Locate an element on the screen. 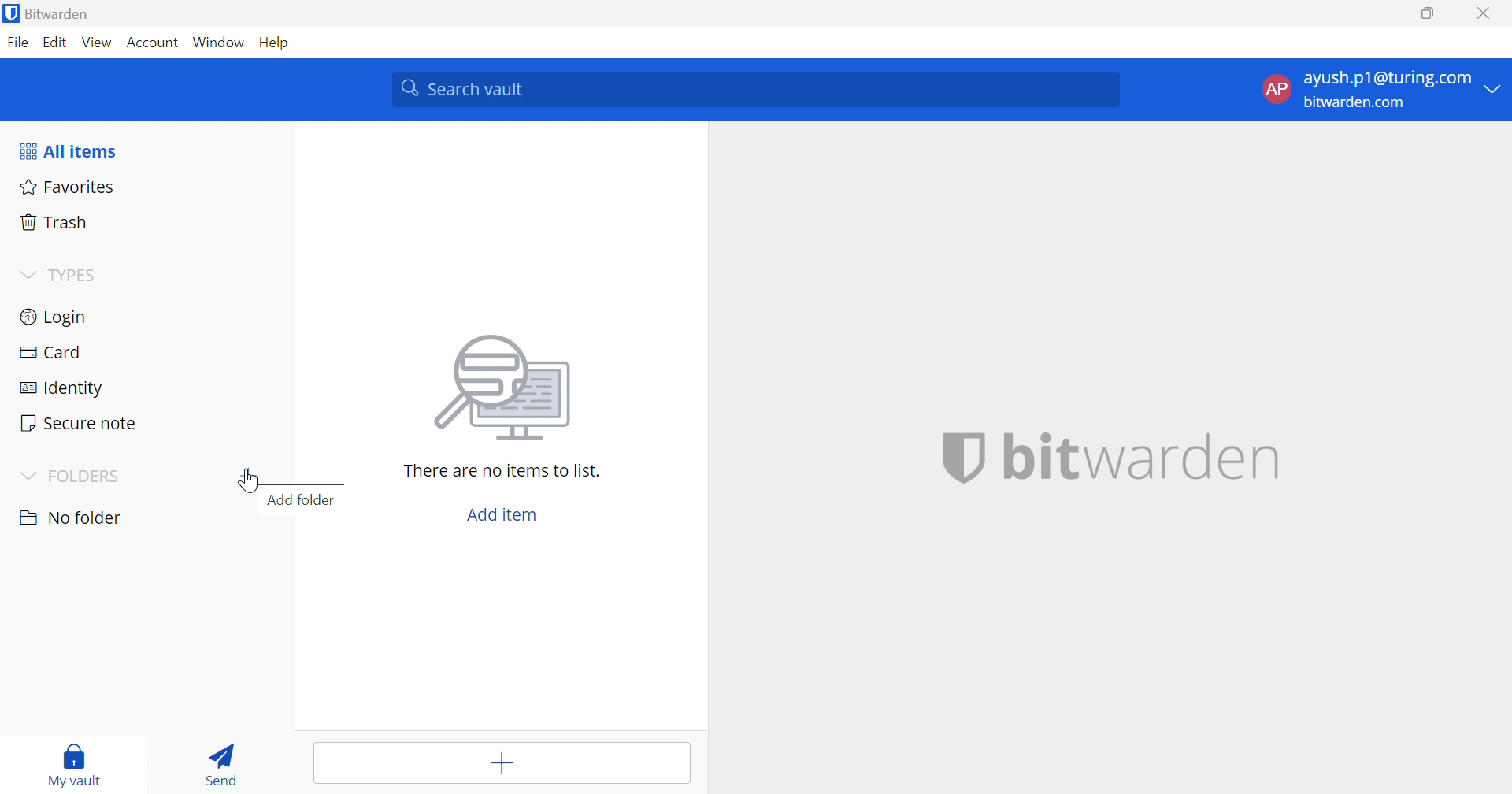  Edit is located at coordinates (58, 43).